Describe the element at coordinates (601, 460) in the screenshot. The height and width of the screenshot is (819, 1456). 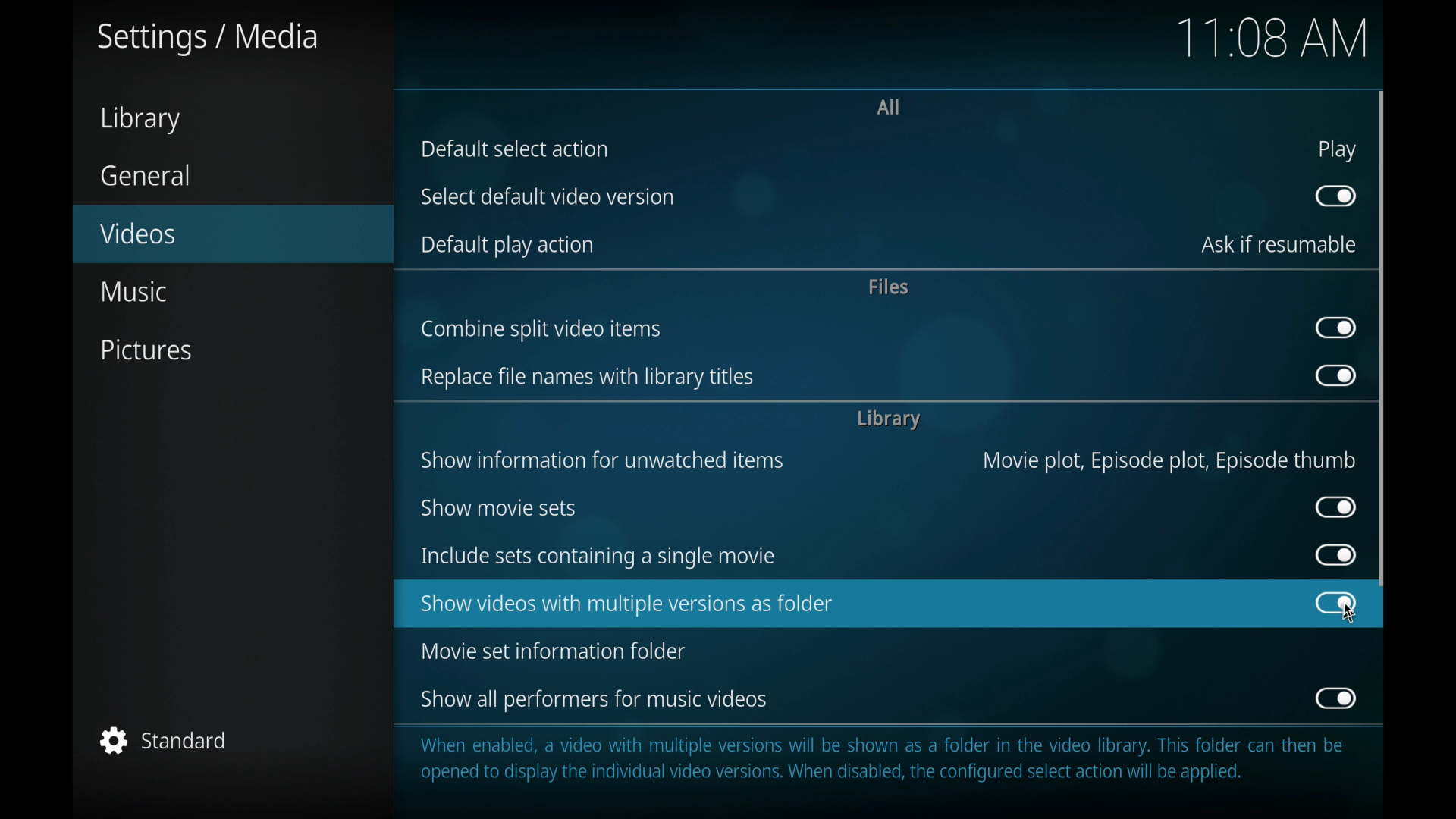
I see `show information for unwatched items` at that location.